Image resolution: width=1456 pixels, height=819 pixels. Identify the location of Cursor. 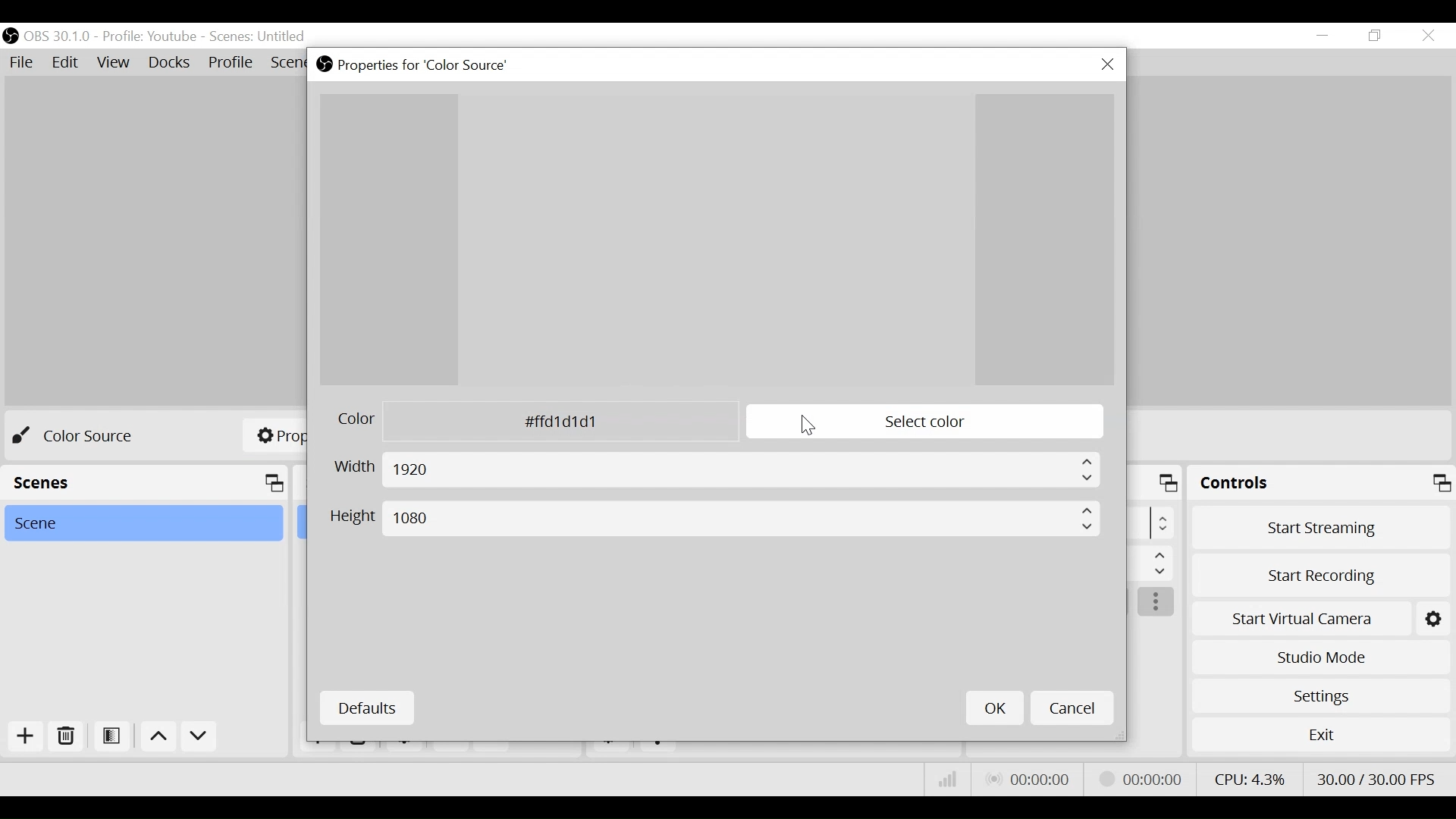
(808, 425).